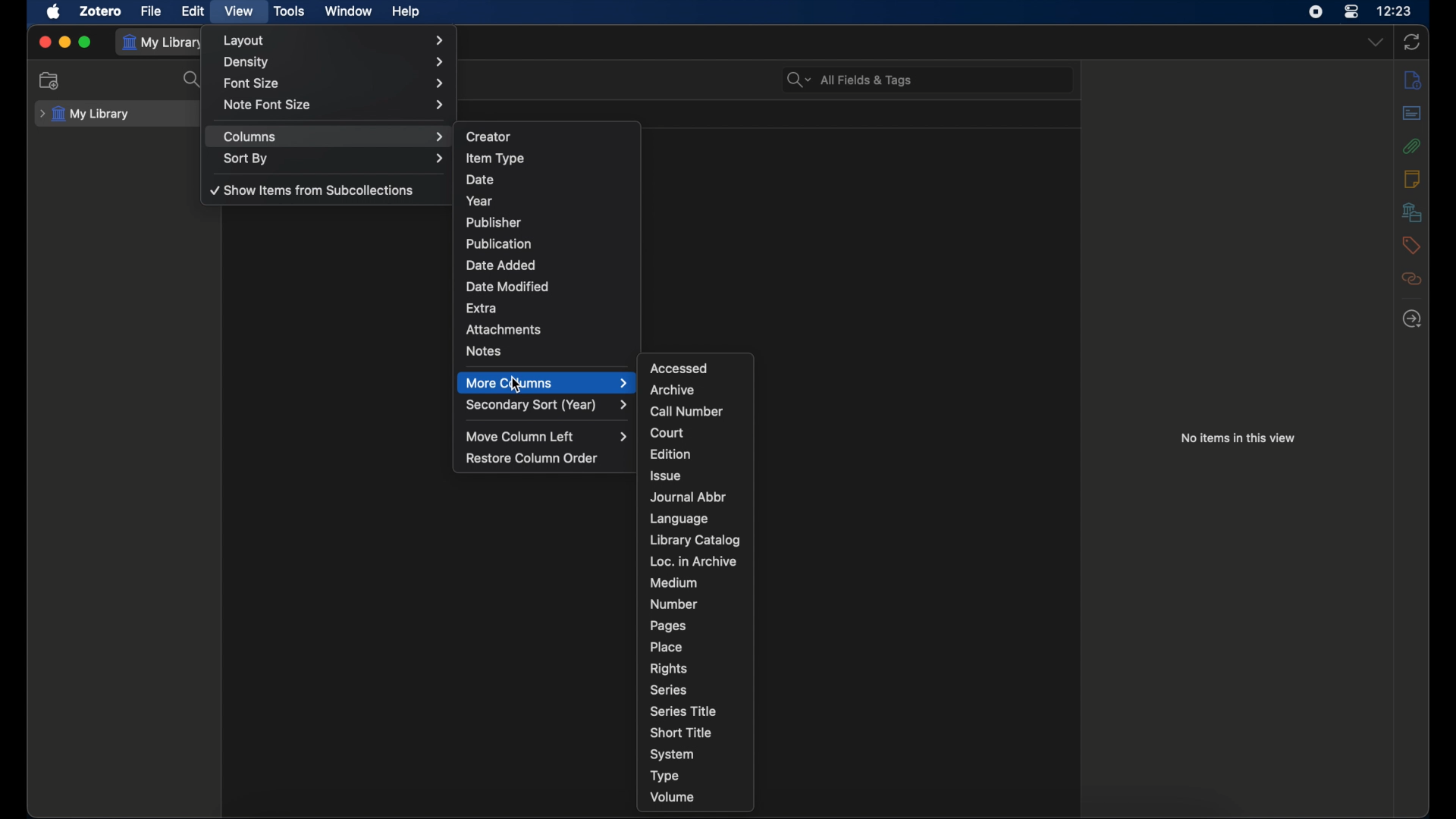 This screenshot has height=819, width=1456. What do you see at coordinates (65, 42) in the screenshot?
I see `minimize` at bounding box center [65, 42].